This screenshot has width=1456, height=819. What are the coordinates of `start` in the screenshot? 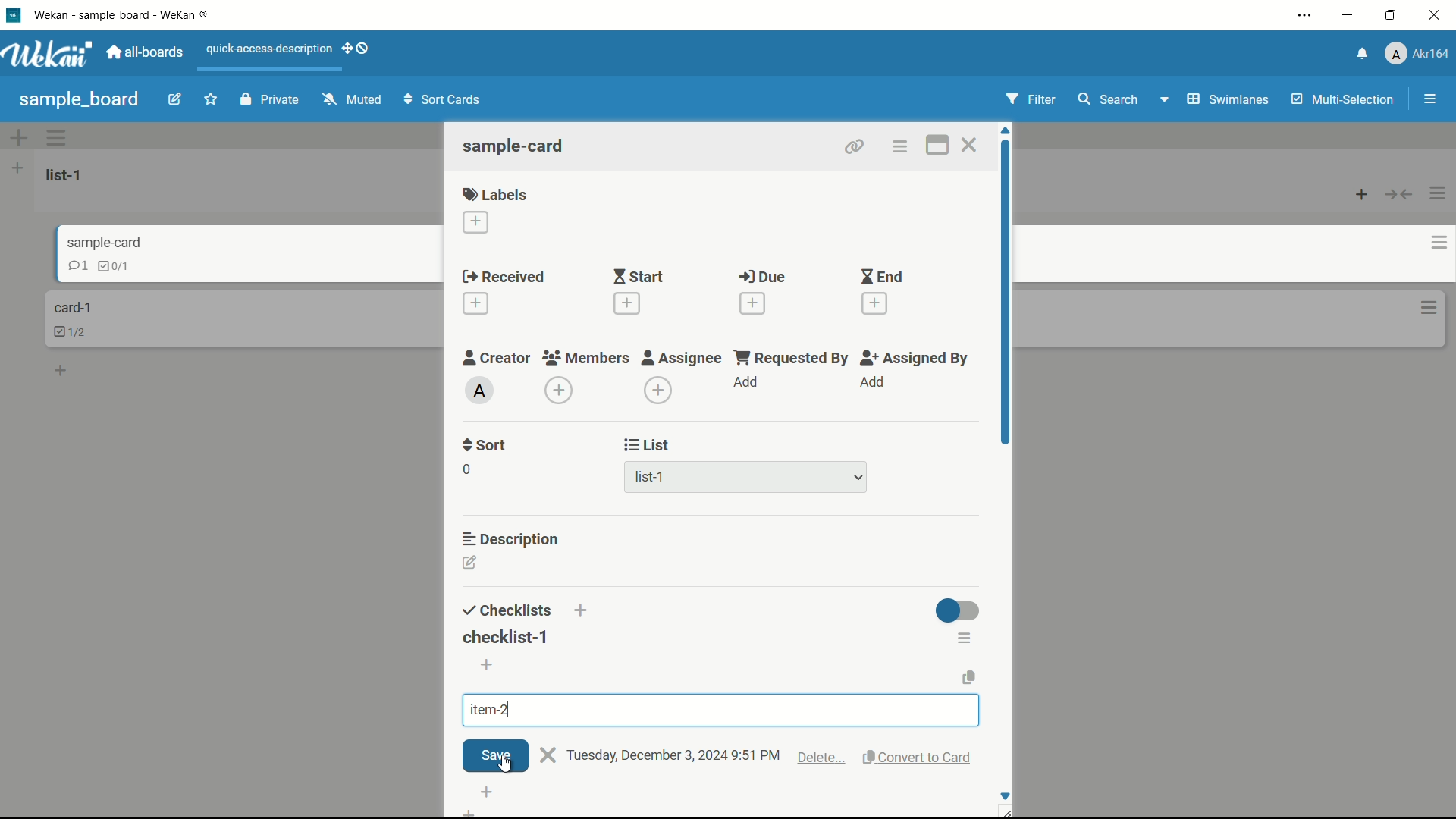 It's located at (640, 276).